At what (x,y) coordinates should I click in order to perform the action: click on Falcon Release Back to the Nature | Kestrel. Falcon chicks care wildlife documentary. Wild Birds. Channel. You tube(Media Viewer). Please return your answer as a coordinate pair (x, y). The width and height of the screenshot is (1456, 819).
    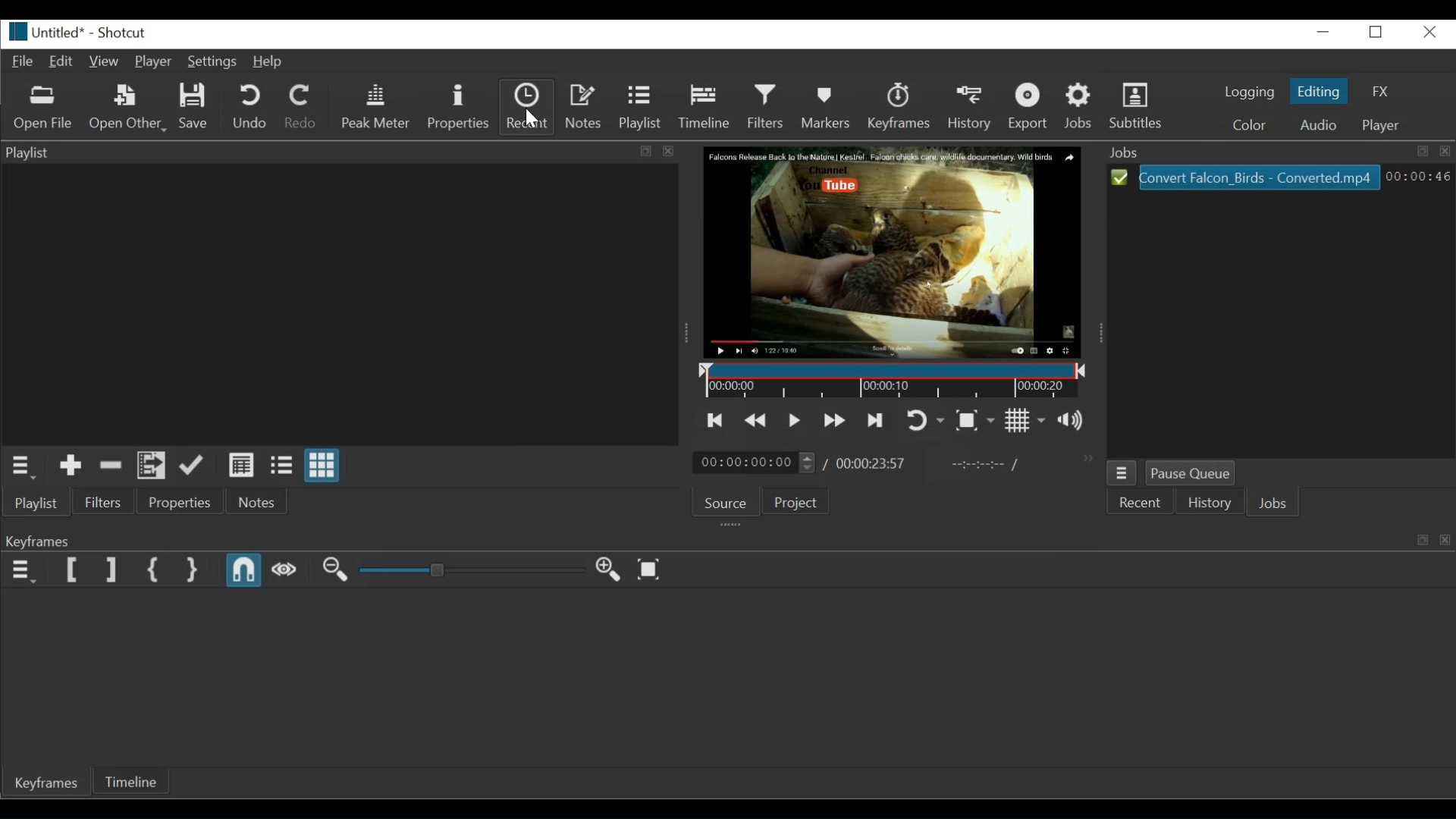
    Looking at the image, I should click on (891, 253).